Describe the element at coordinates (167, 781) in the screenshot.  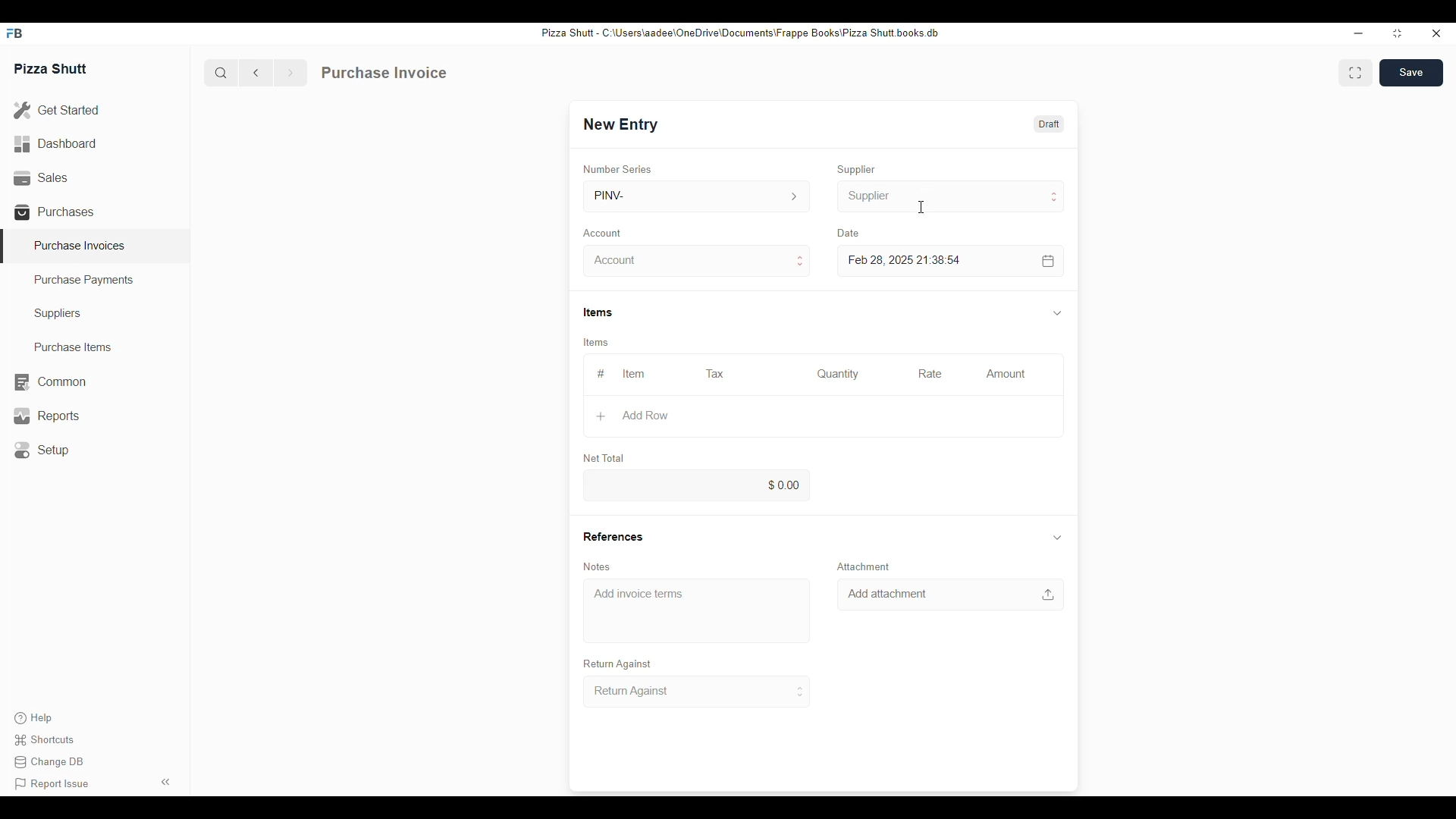
I see `<<` at that location.